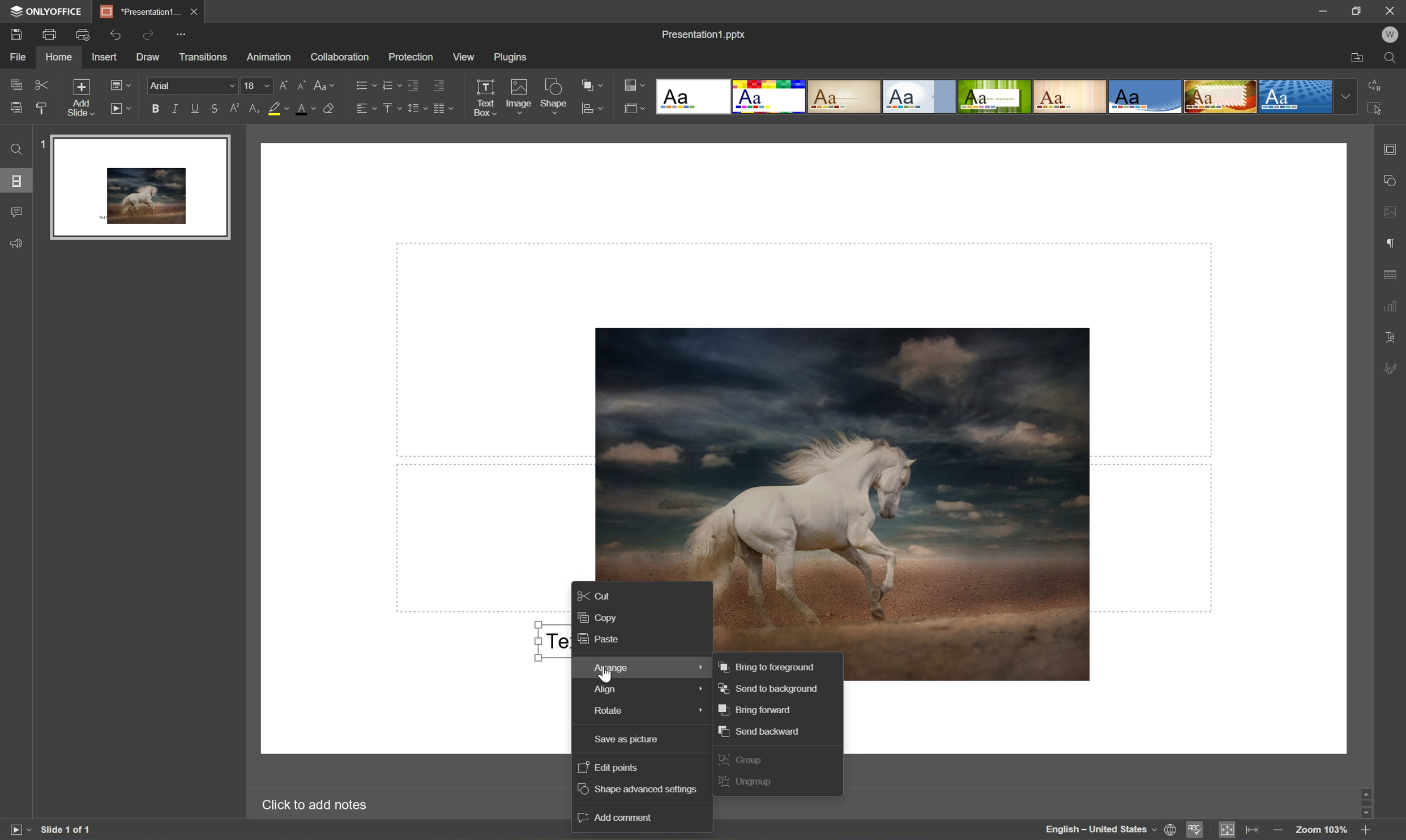 This screenshot has width=1406, height=840. I want to click on Blank, so click(695, 97).